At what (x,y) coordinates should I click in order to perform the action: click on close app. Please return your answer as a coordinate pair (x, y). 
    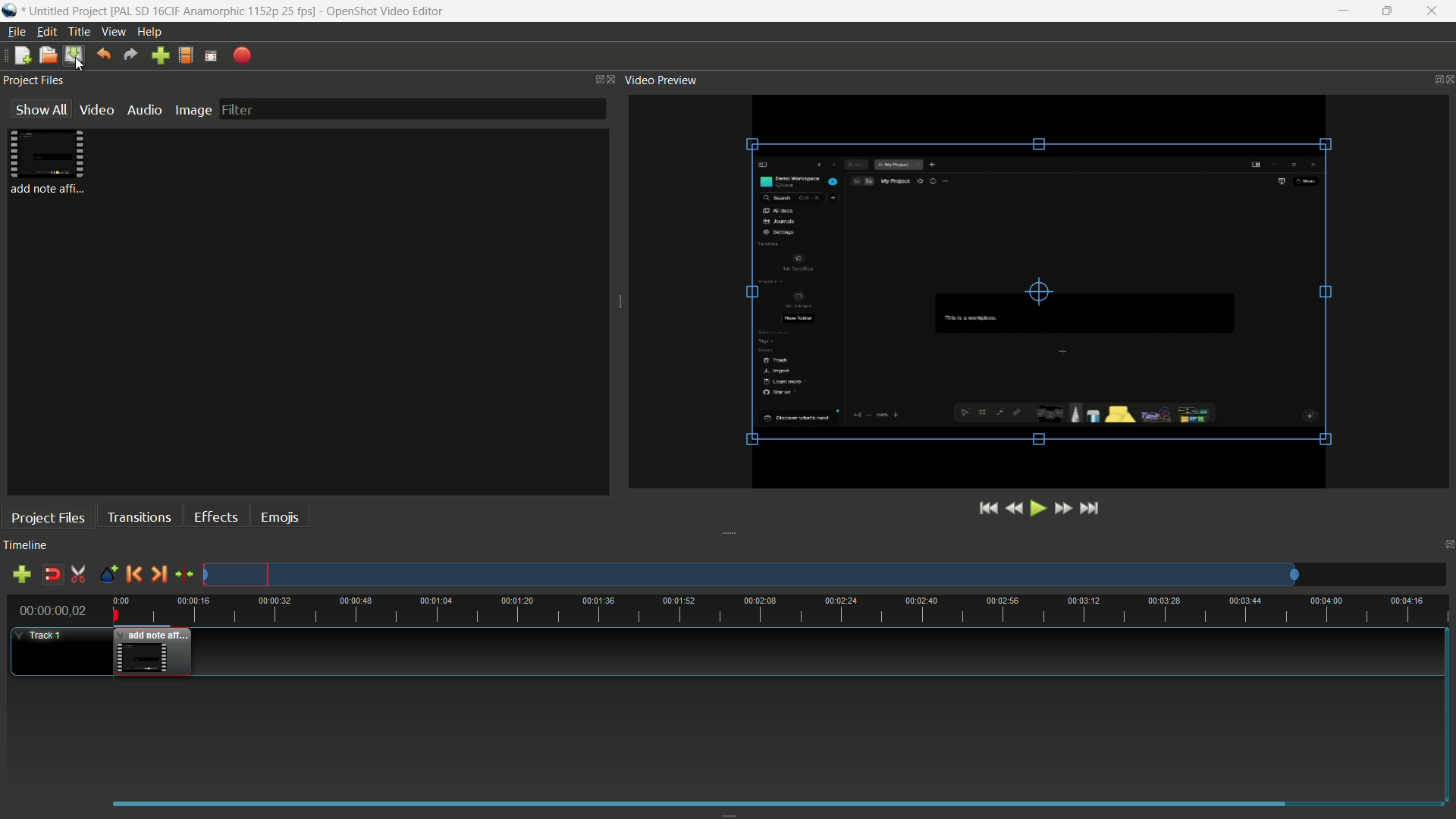
    Looking at the image, I should click on (1434, 11).